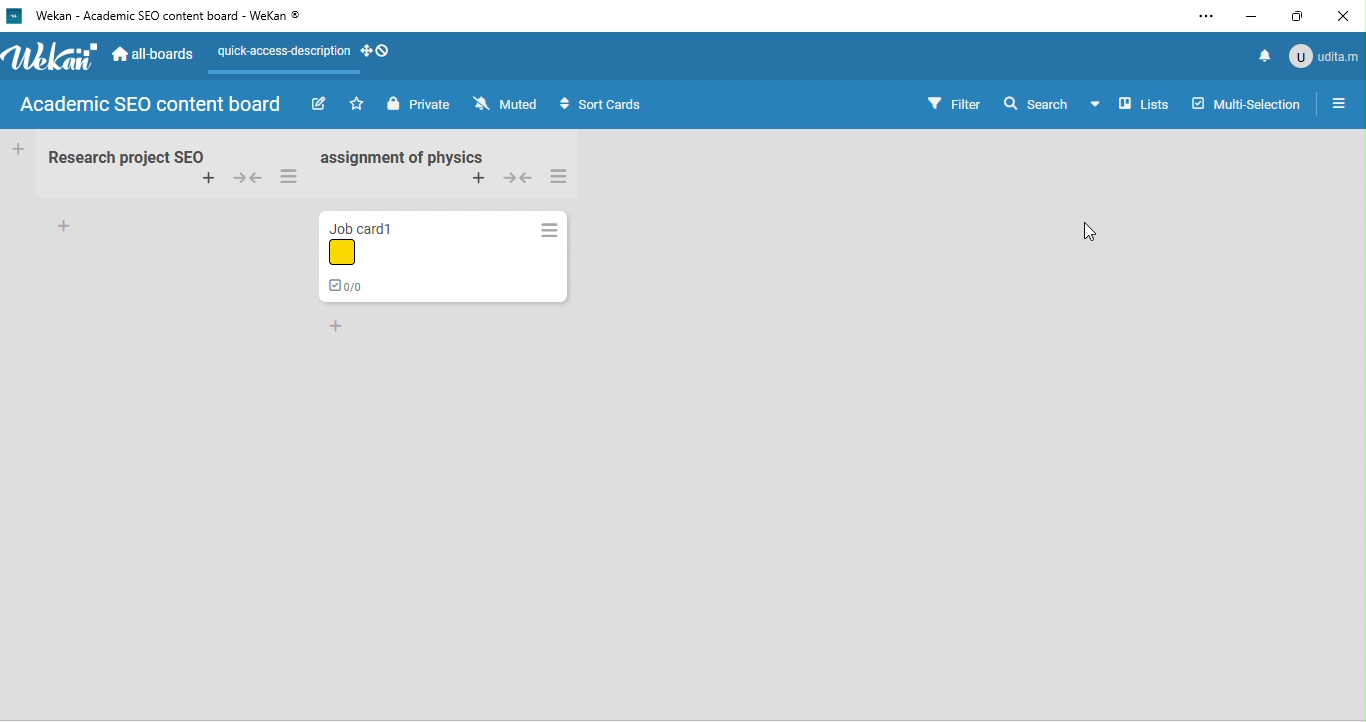  What do you see at coordinates (550, 228) in the screenshot?
I see `list action` at bounding box center [550, 228].